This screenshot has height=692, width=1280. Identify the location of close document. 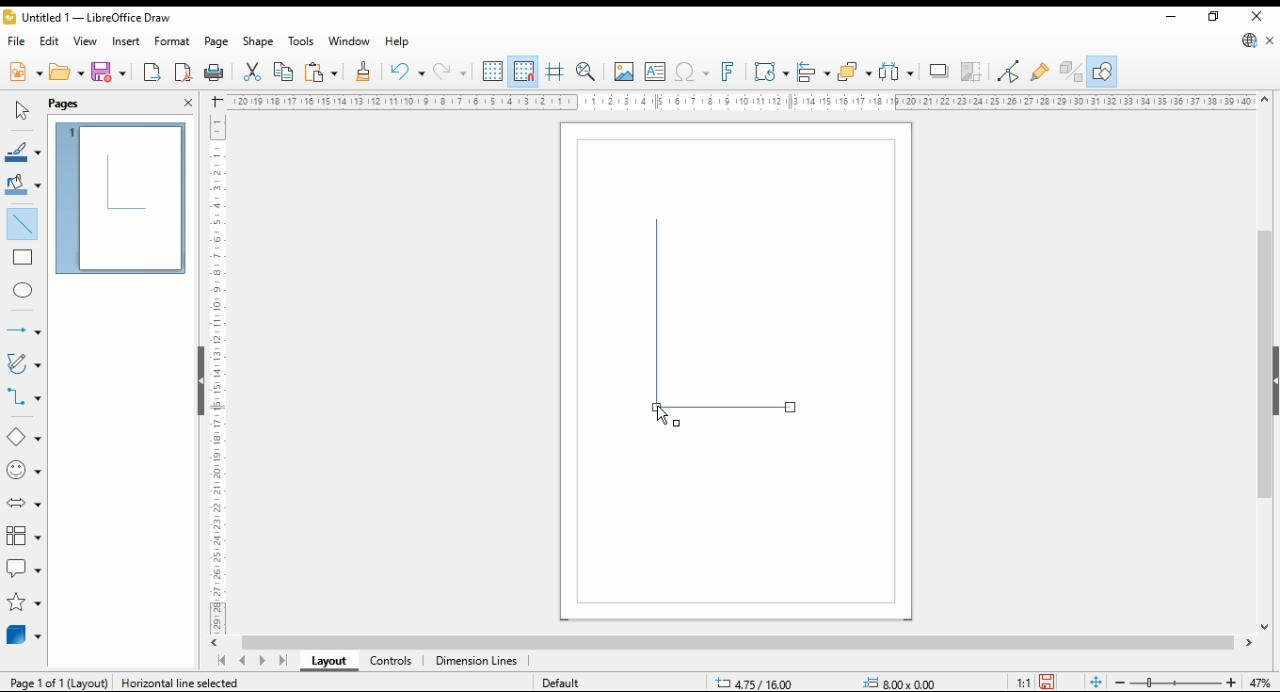
(1271, 42).